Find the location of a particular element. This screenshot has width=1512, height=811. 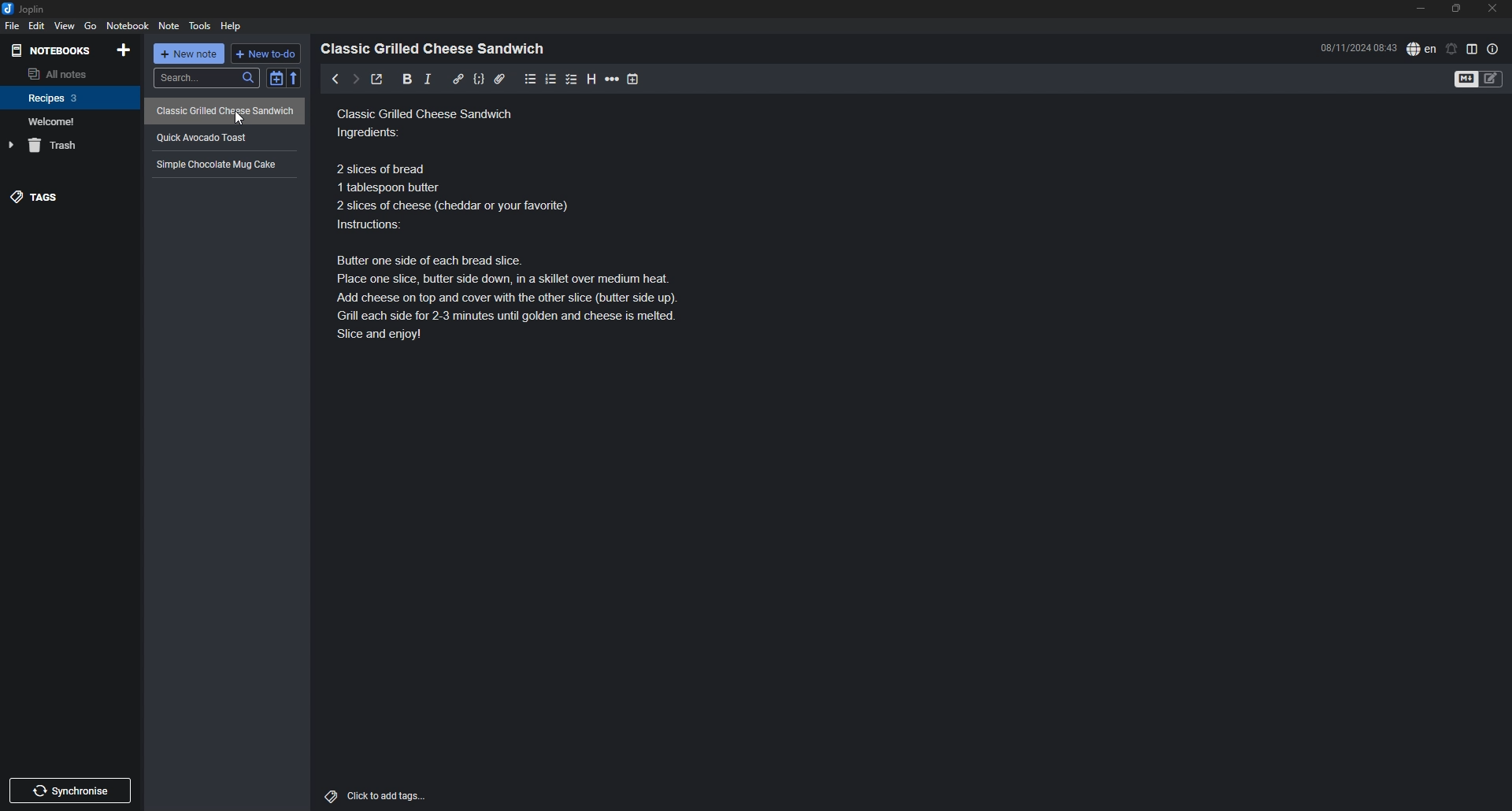

tags is located at coordinates (69, 198).